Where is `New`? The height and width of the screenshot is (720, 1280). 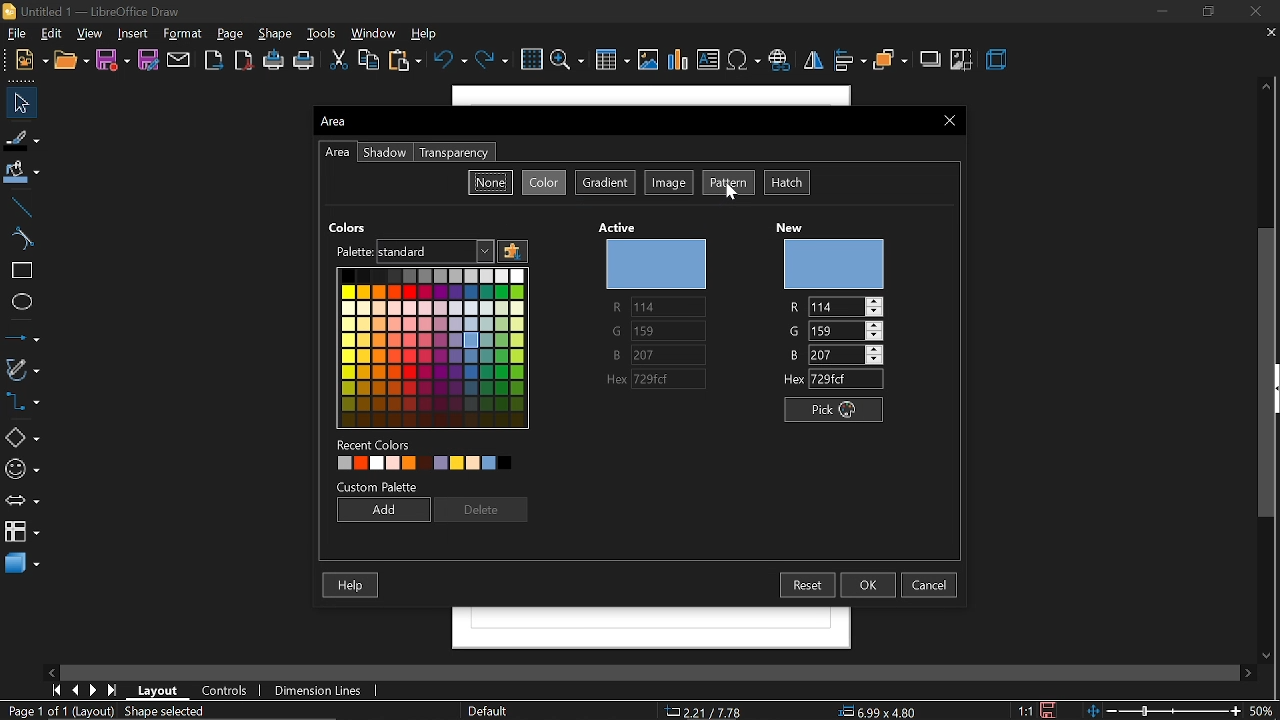
New is located at coordinates (787, 222).